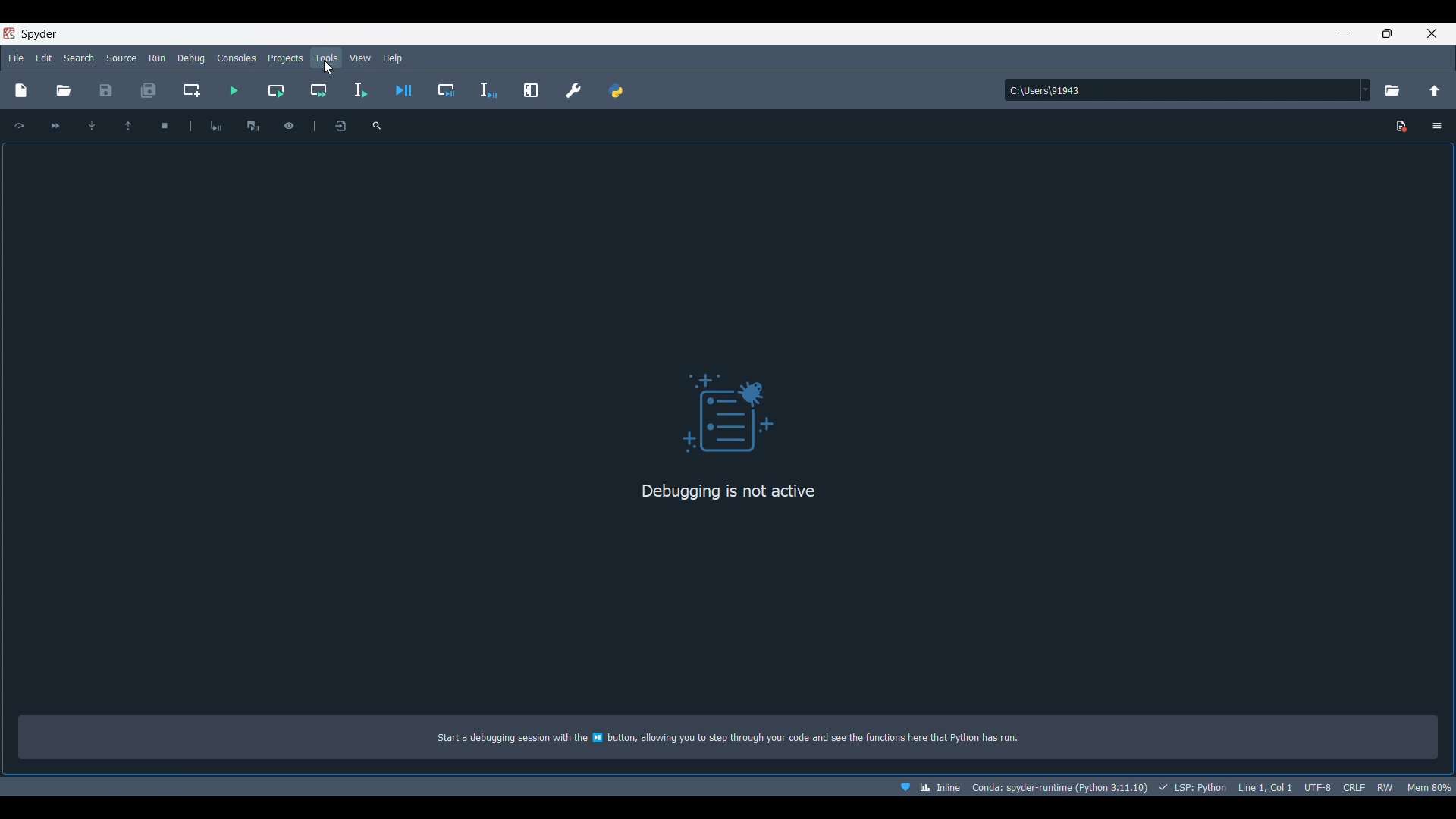 The height and width of the screenshot is (819, 1456). I want to click on Run file, so click(234, 90).